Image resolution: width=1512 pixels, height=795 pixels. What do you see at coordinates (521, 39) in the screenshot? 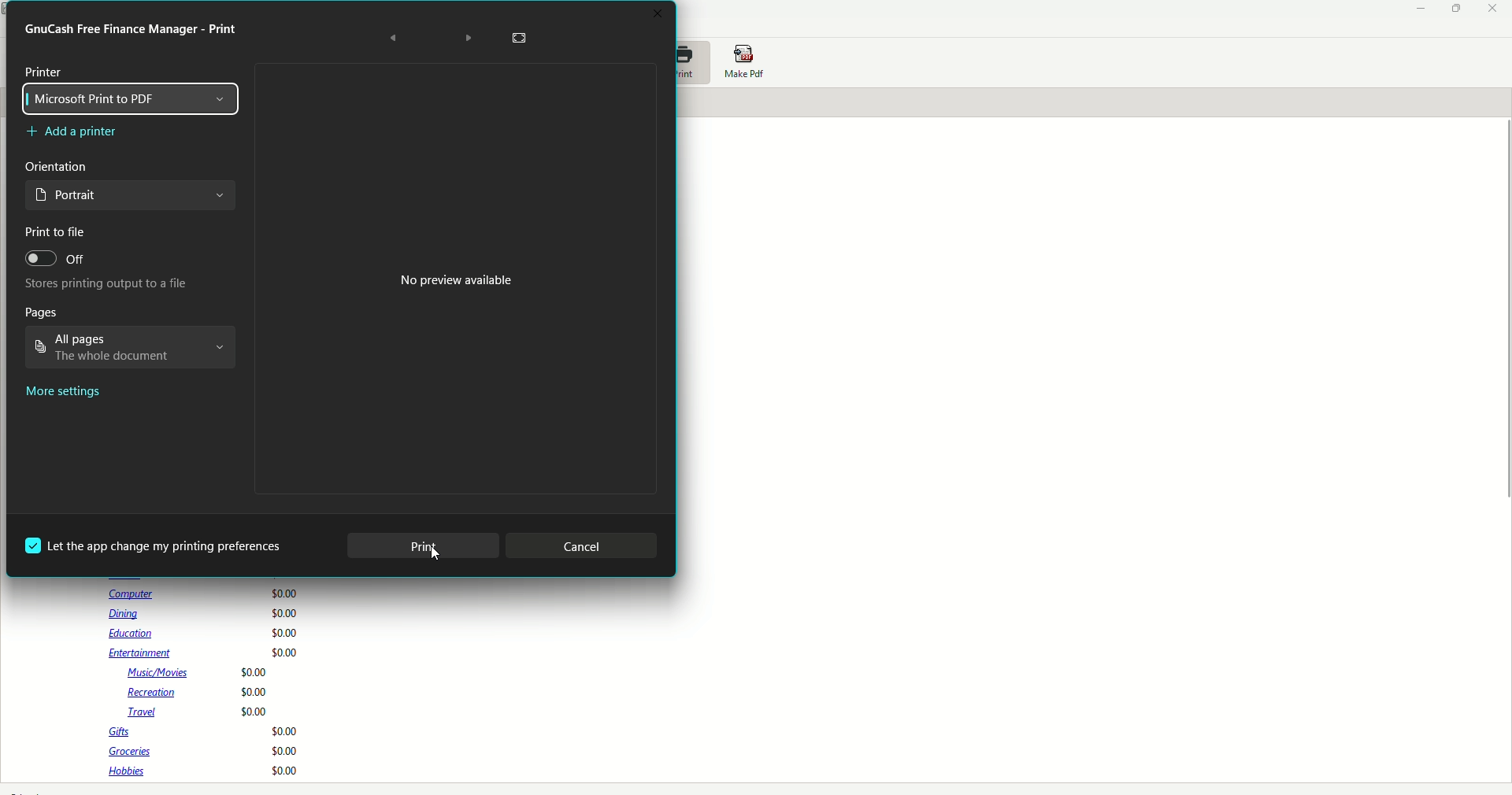
I see `Fullscreen` at bounding box center [521, 39].